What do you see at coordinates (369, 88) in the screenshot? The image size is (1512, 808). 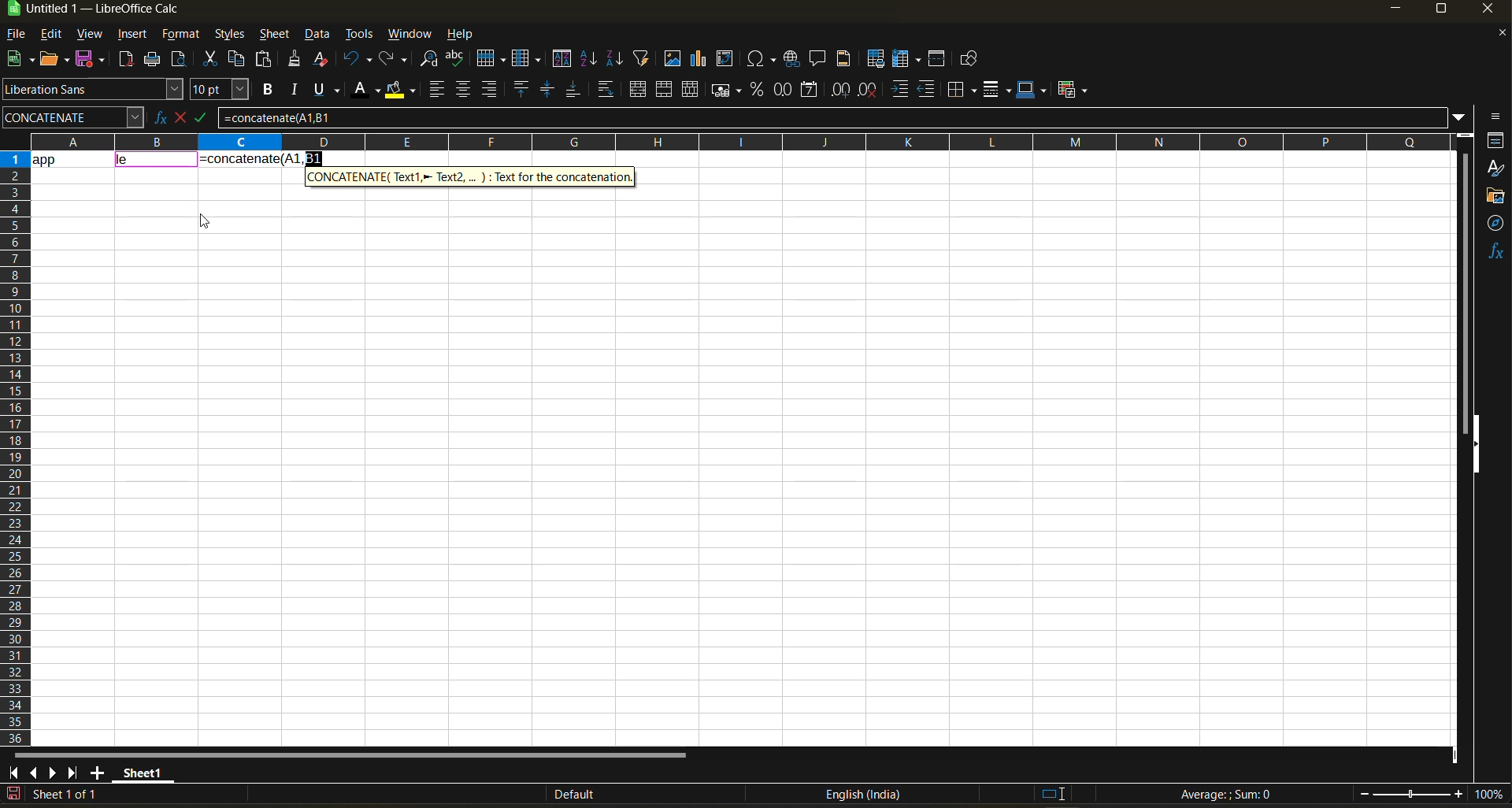 I see `font color` at bounding box center [369, 88].